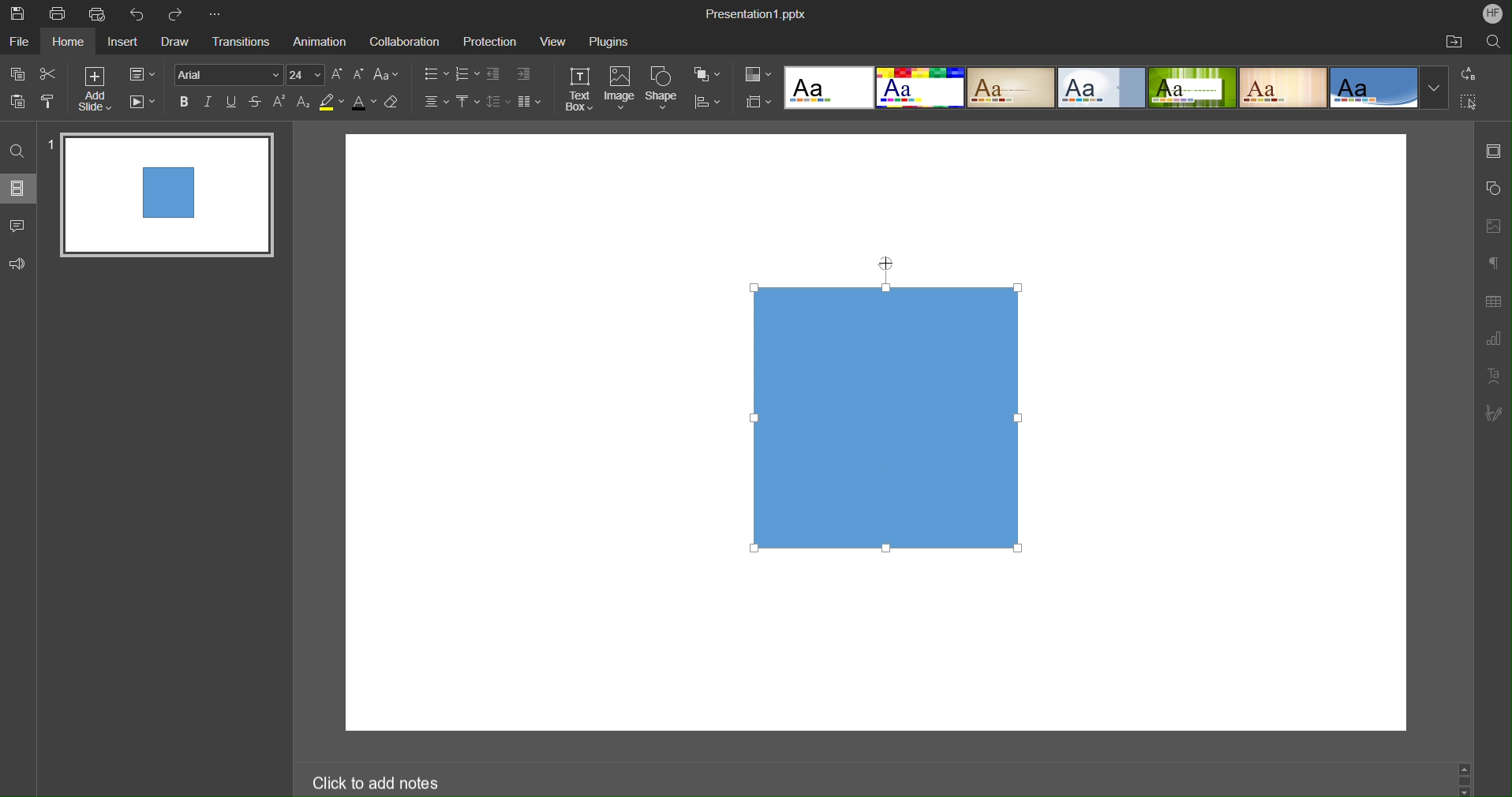 Image resolution: width=1512 pixels, height=797 pixels. What do you see at coordinates (757, 101) in the screenshot?
I see `Slide Size` at bounding box center [757, 101].